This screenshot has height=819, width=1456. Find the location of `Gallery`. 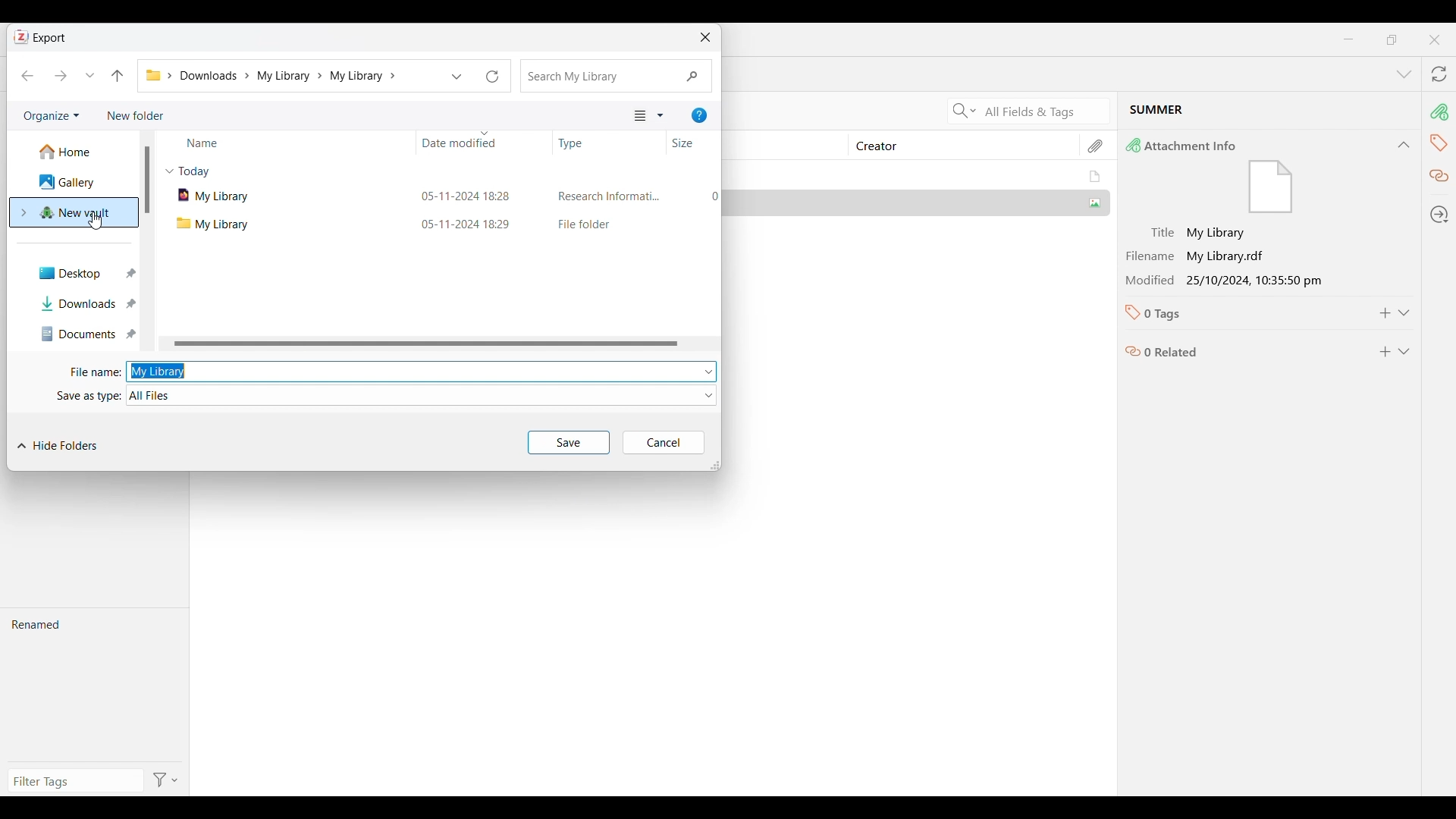

Gallery is located at coordinates (74, 182).